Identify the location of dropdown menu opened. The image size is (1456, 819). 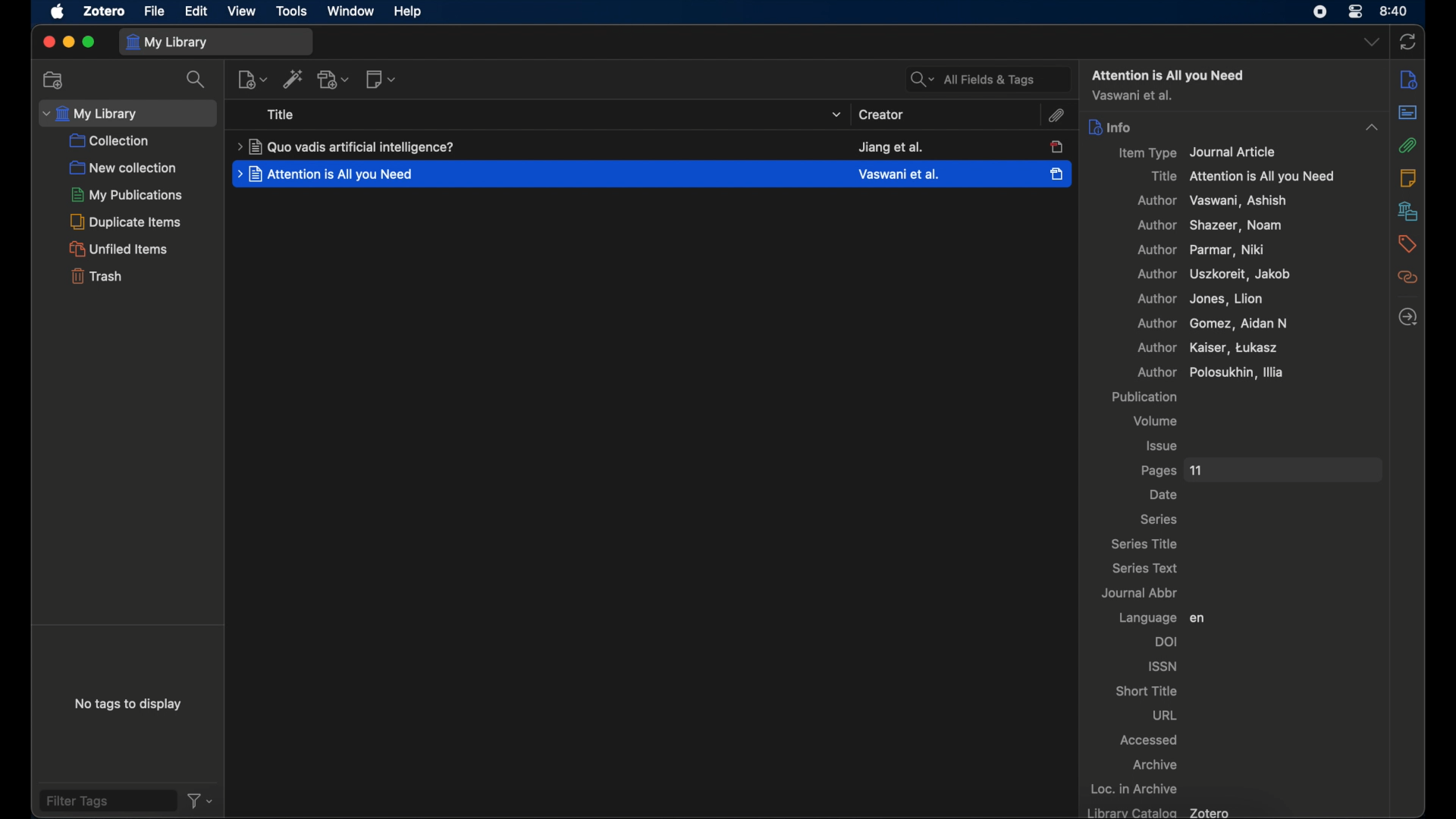
(1371, 127).